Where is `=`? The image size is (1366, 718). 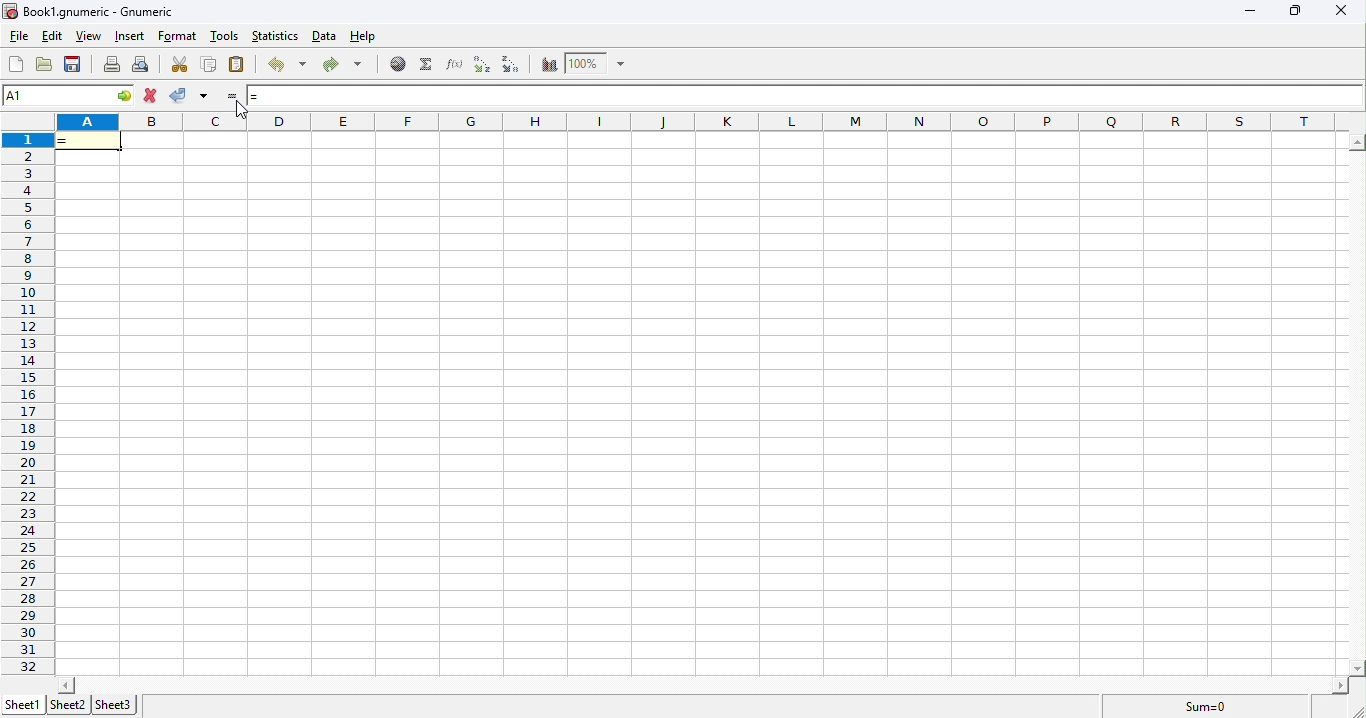
= is located at coordinates (247, 97).